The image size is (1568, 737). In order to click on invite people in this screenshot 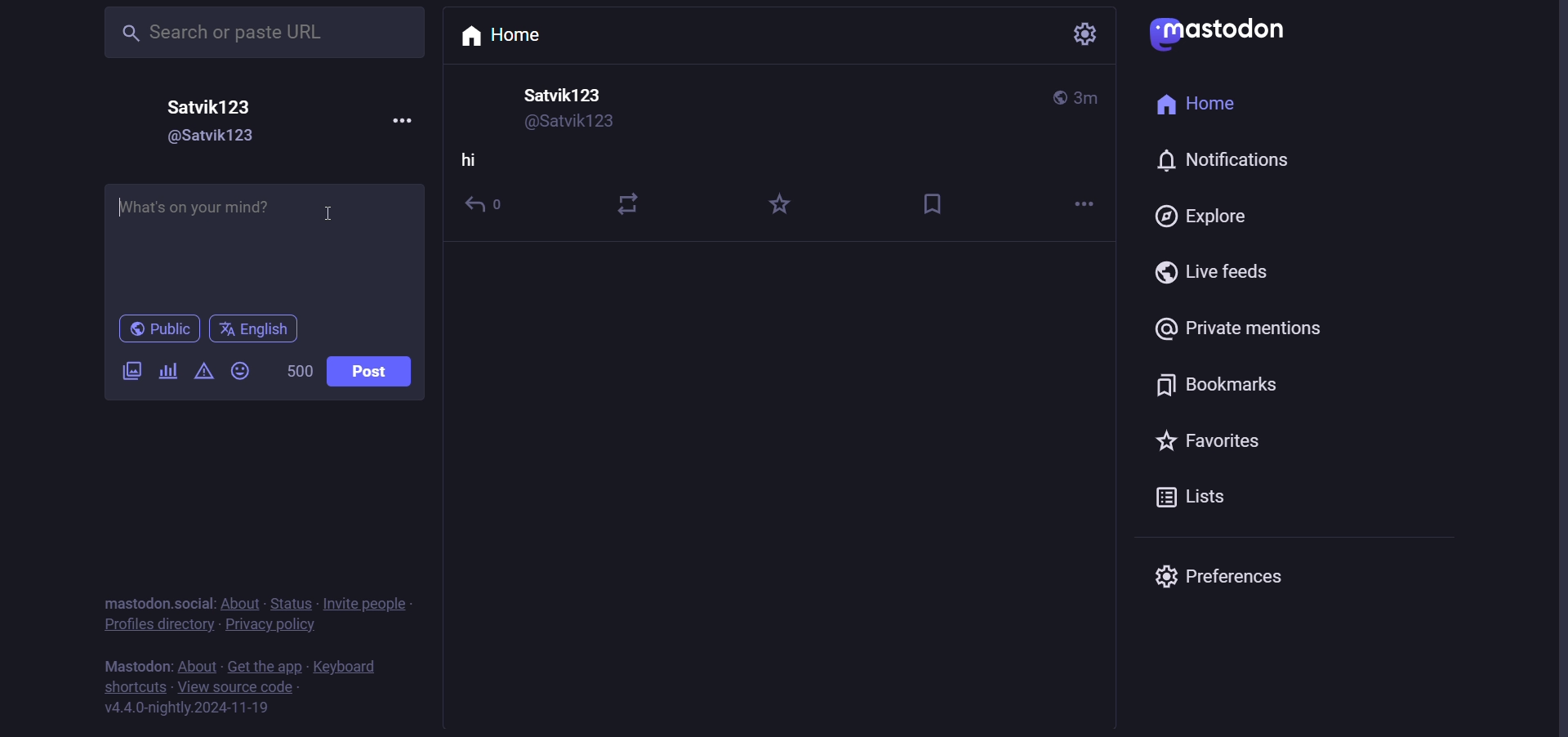, I will do `click(371, 603)`.